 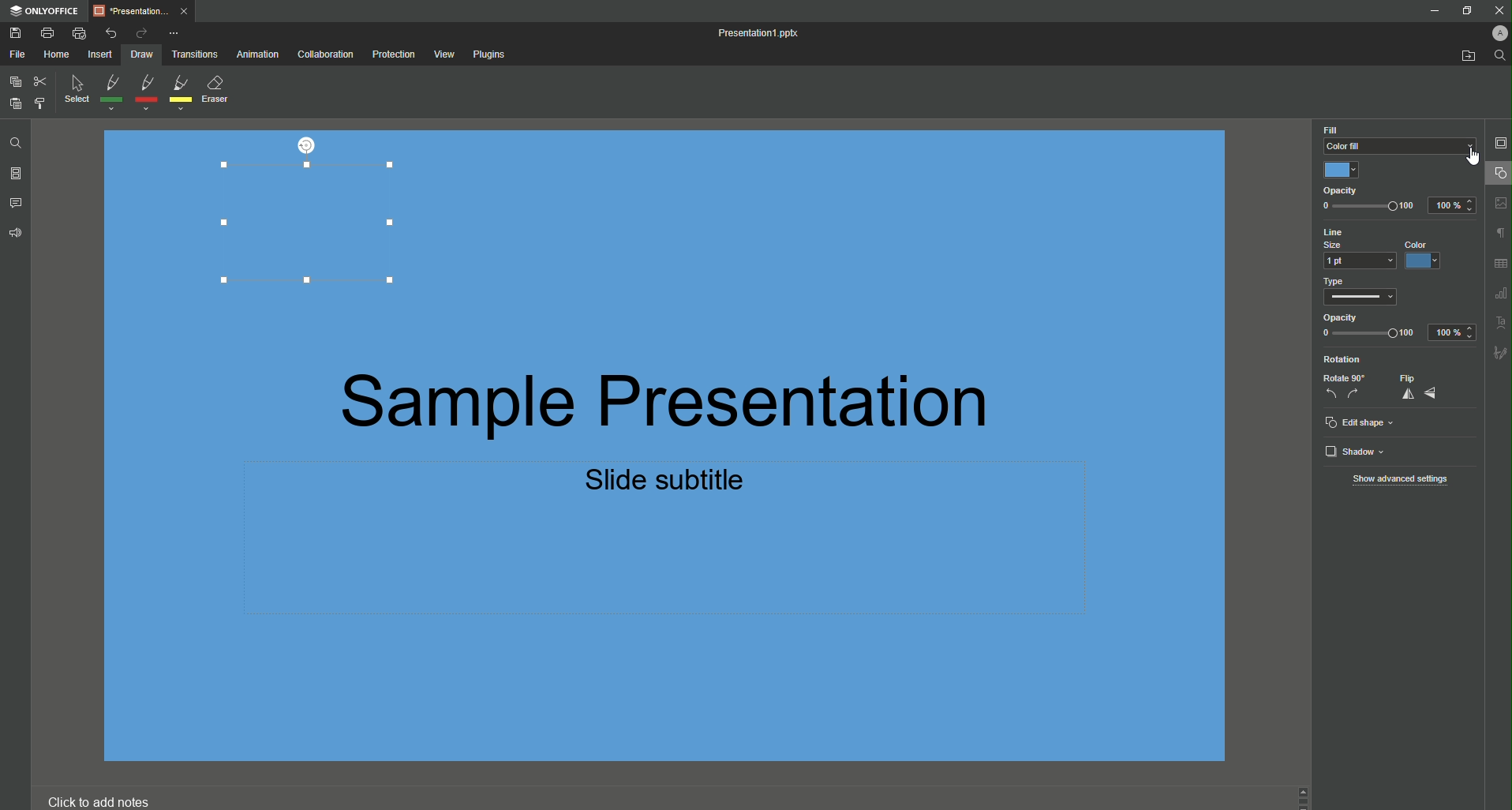 I want to click on Edit Shape, so click(x=1360, y=423).